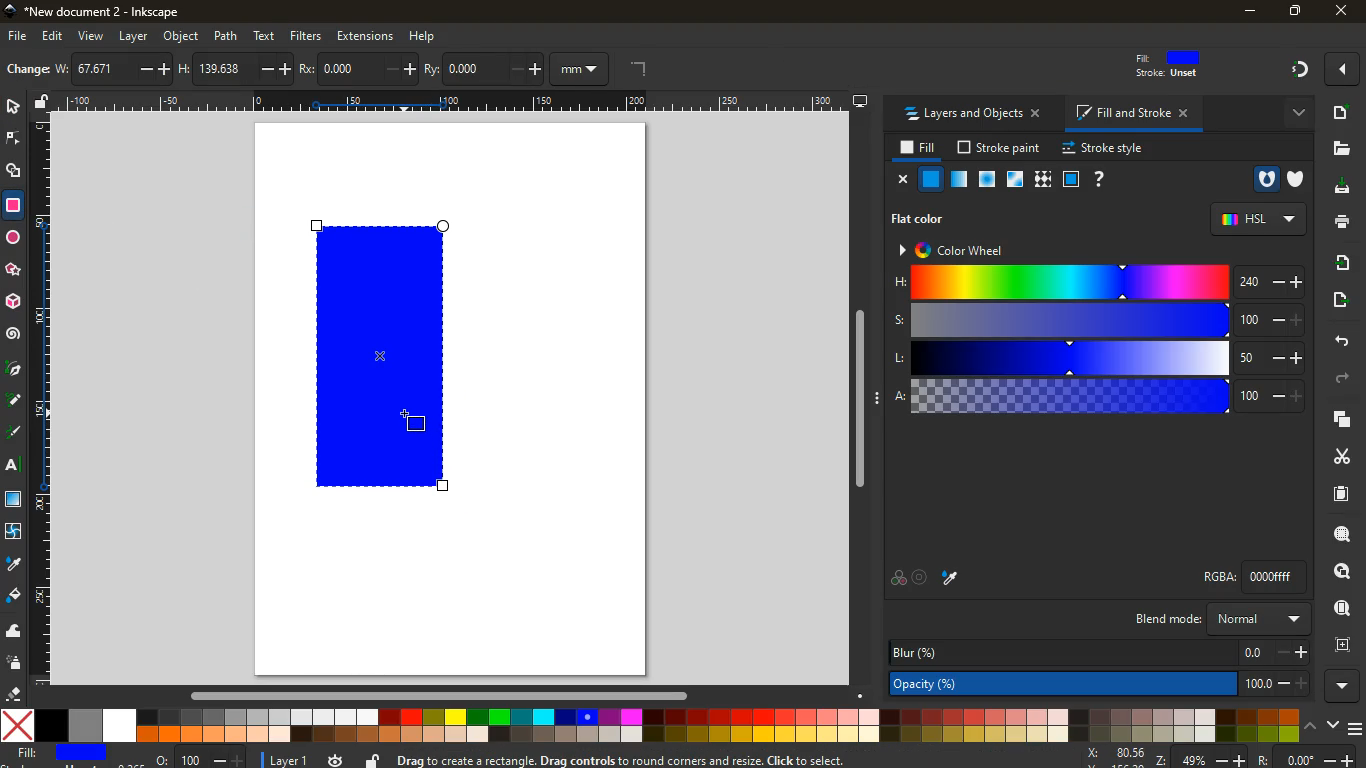  What do you see at coordinates (1103, 149) in the screenshot?
I see `stroke style` at bounding box center [1103, 149].